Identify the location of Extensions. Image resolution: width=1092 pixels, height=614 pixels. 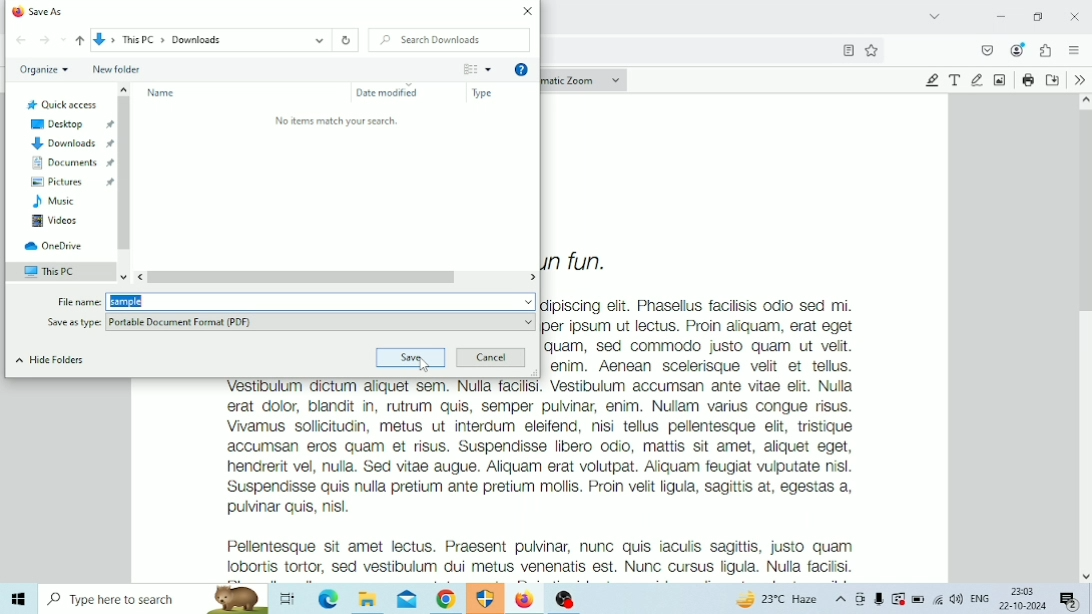
(1047, 51).